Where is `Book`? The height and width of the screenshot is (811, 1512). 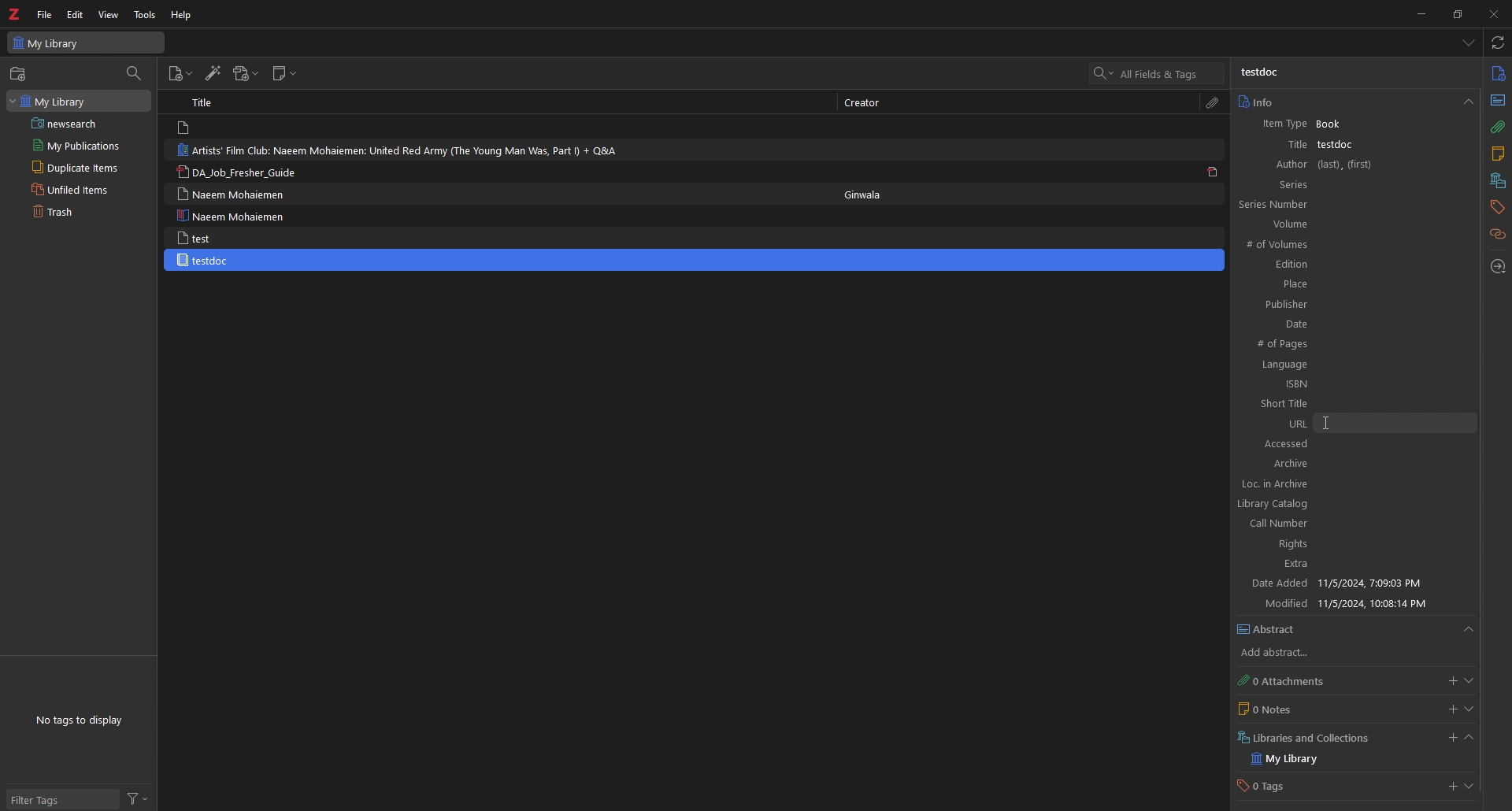 Book is located at coordinates (1332, 124).